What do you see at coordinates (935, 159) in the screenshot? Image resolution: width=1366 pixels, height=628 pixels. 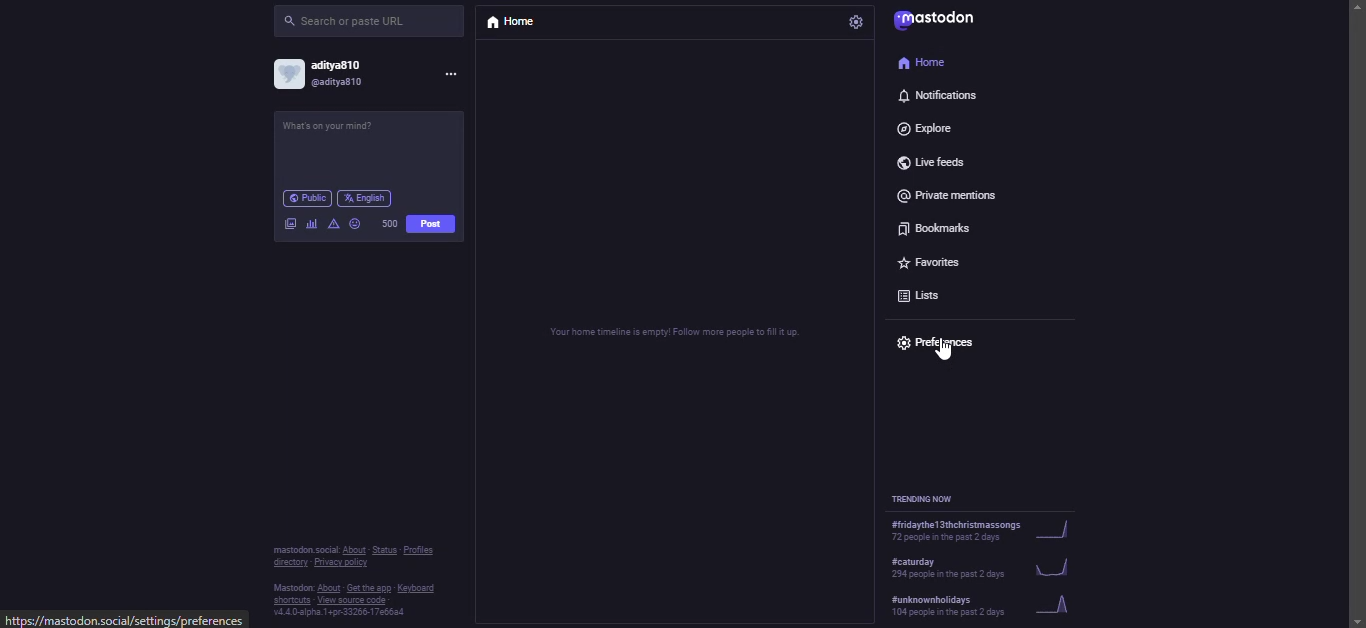 I see `live feeds` at bounding box center [935, 159].